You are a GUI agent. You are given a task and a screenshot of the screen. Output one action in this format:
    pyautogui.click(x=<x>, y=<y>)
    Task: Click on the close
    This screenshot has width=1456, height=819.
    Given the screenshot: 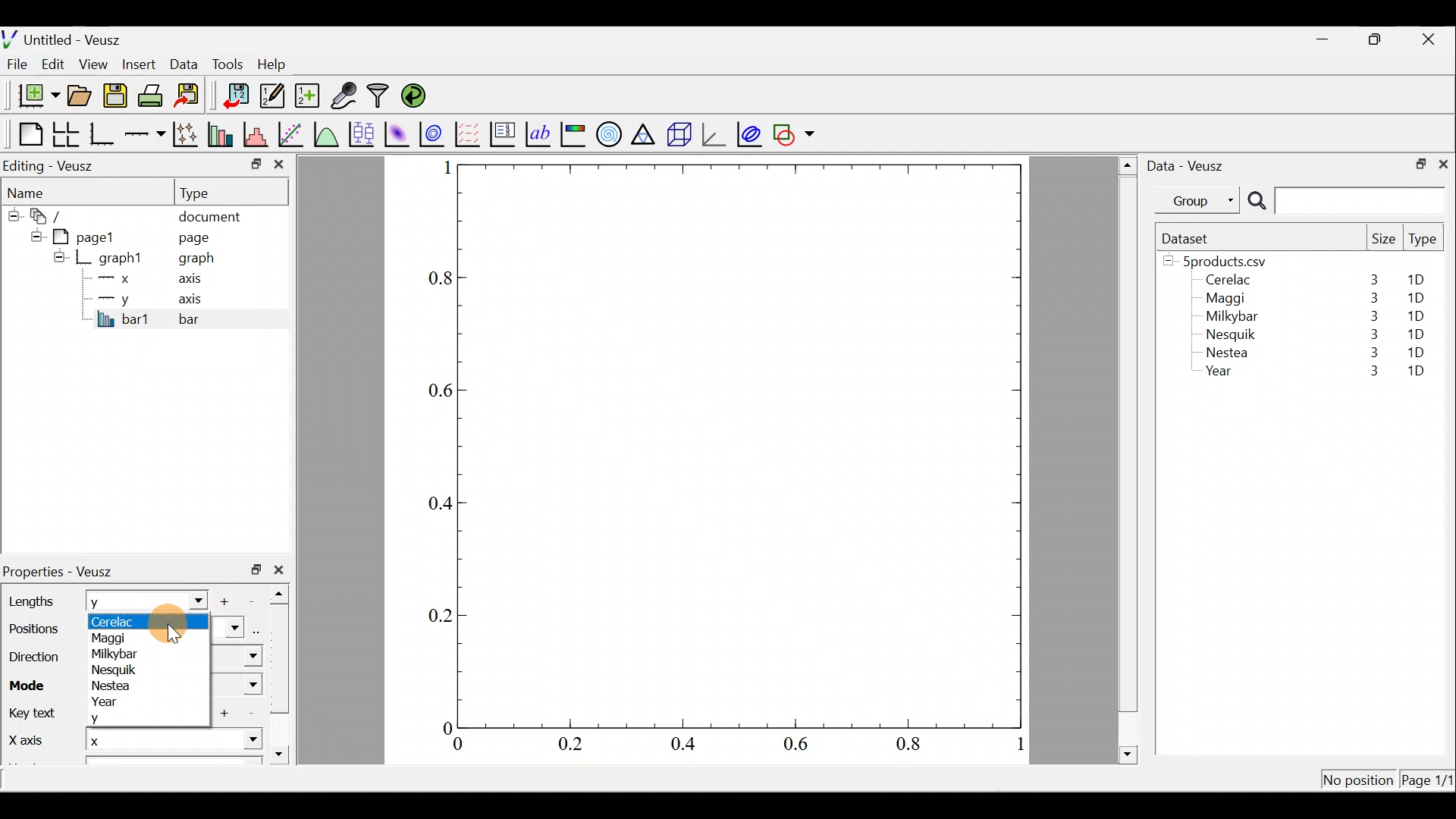 What is the action you would take?
    pyautogui.click(x=1443, y=163)
    